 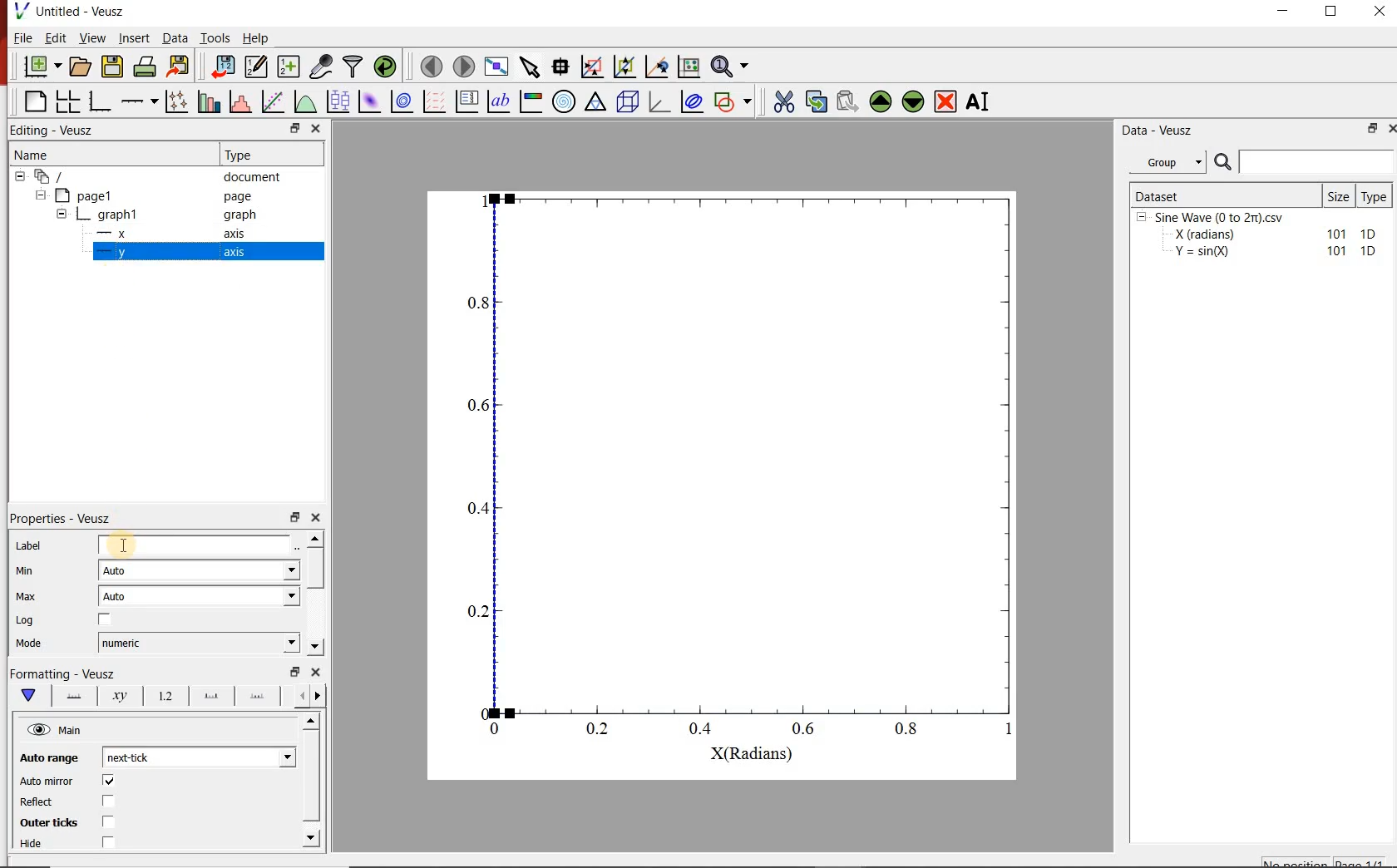 What do you see at coordinates (21, 10) in the screenshot?
I see `Logo` at bounding box center [21, 10].